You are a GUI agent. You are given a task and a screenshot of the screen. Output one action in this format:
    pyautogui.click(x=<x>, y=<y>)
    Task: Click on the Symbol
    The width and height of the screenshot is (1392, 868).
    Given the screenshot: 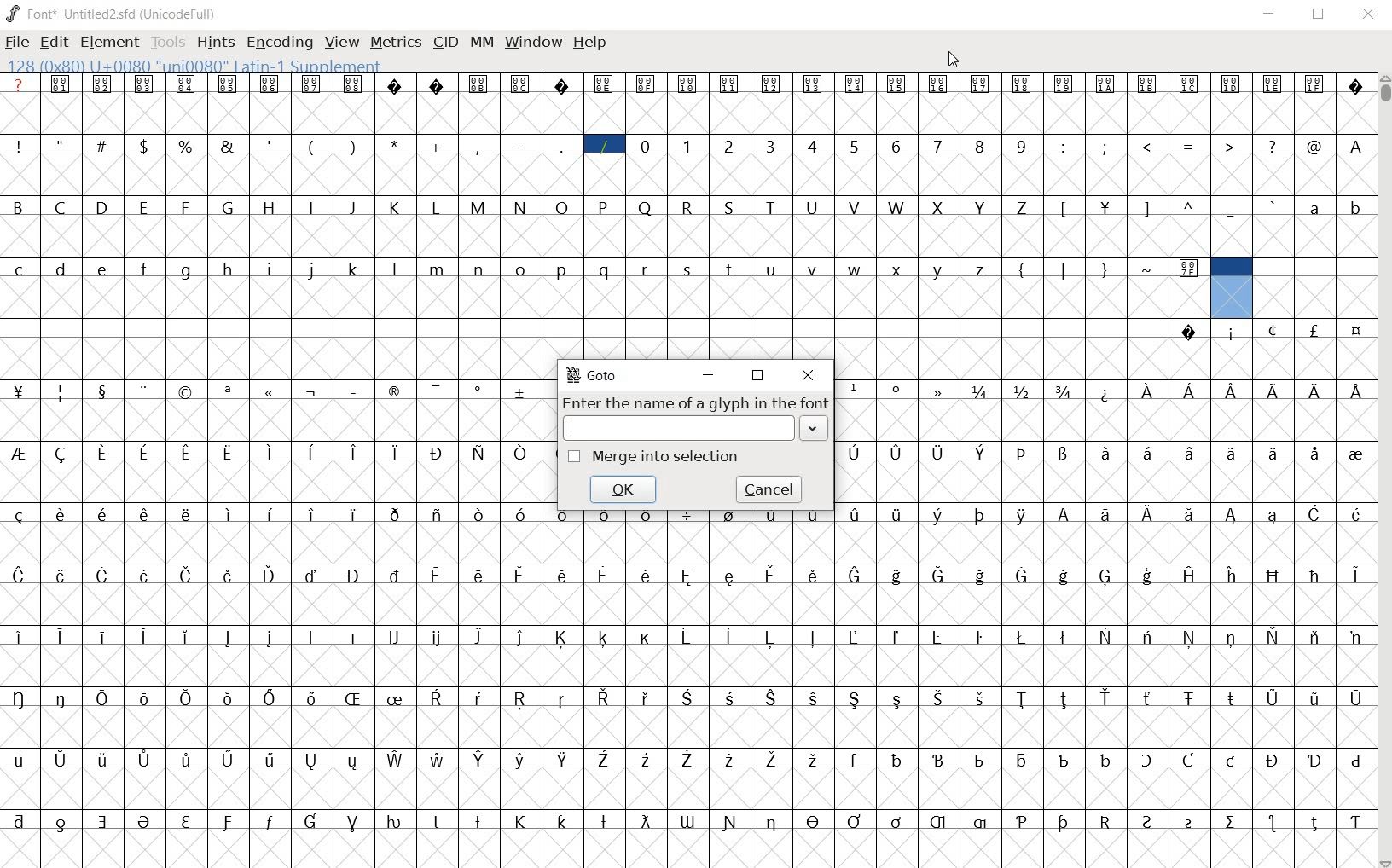 What is the action you would take?
    pyautogui.click(x=647, y=697)
    